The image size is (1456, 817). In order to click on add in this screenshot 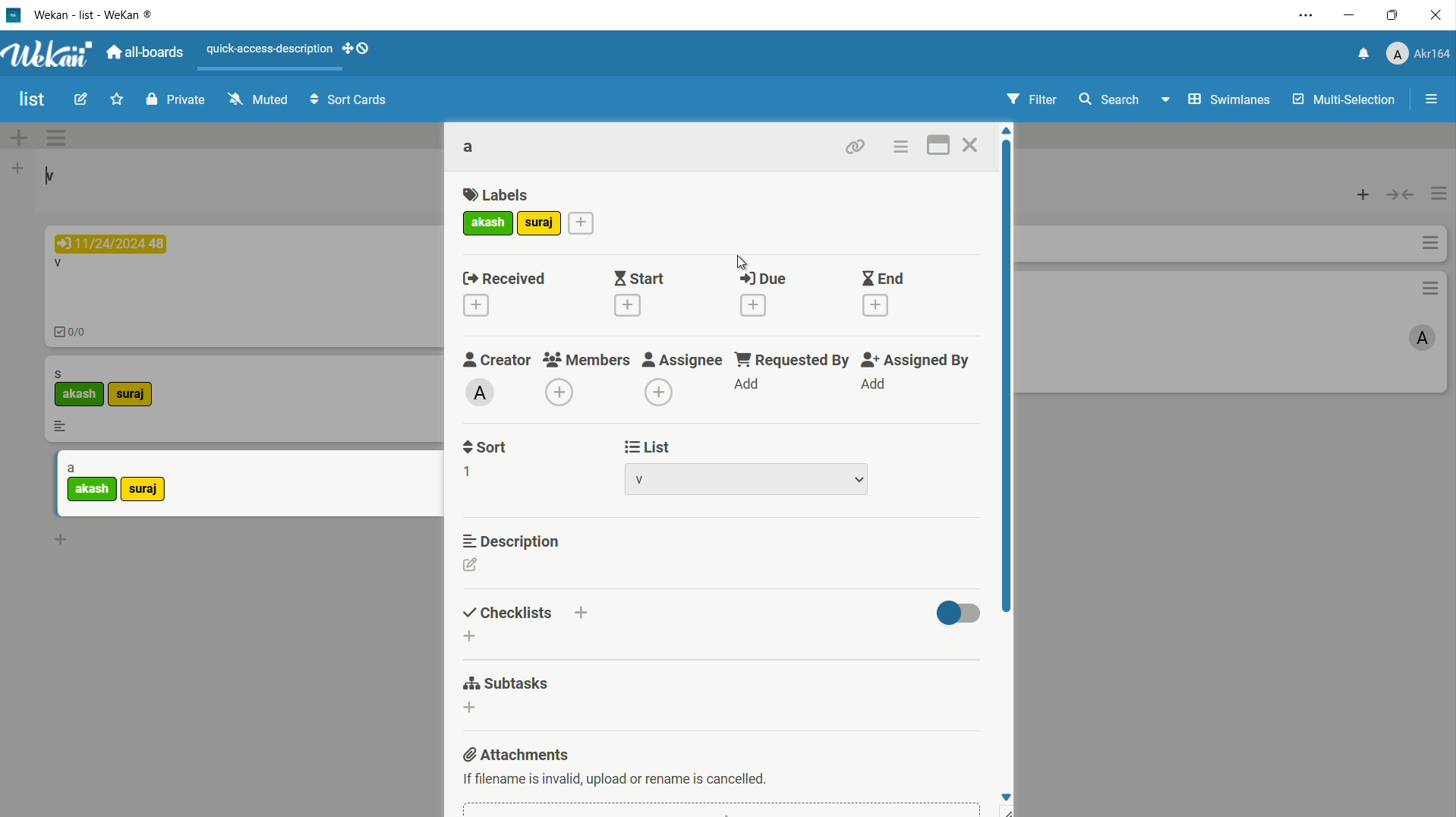, I will do `click(586, 223)`.